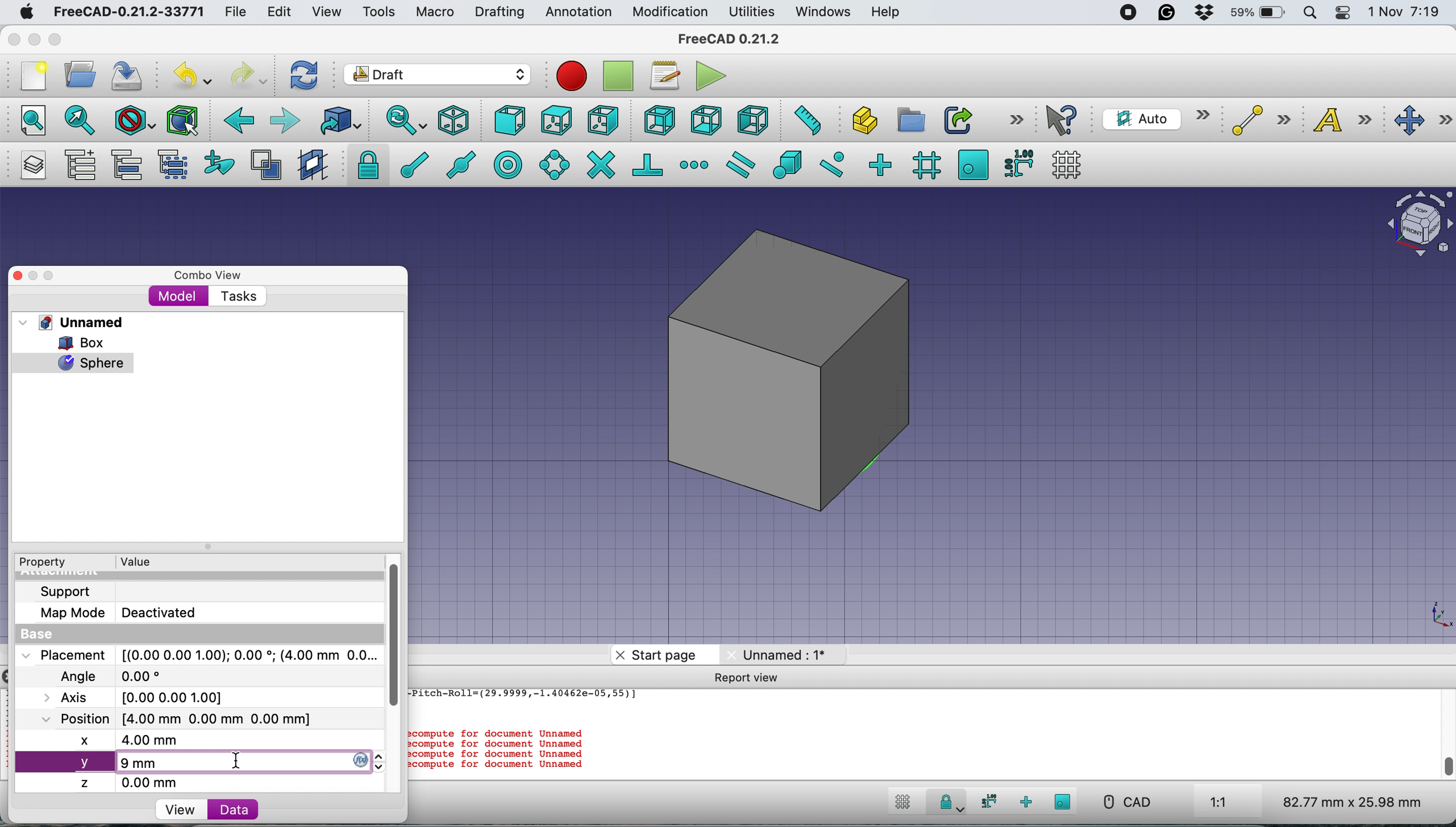 This screenshot has width=1456, height=827. I want to click on line, so click(1258, 120).